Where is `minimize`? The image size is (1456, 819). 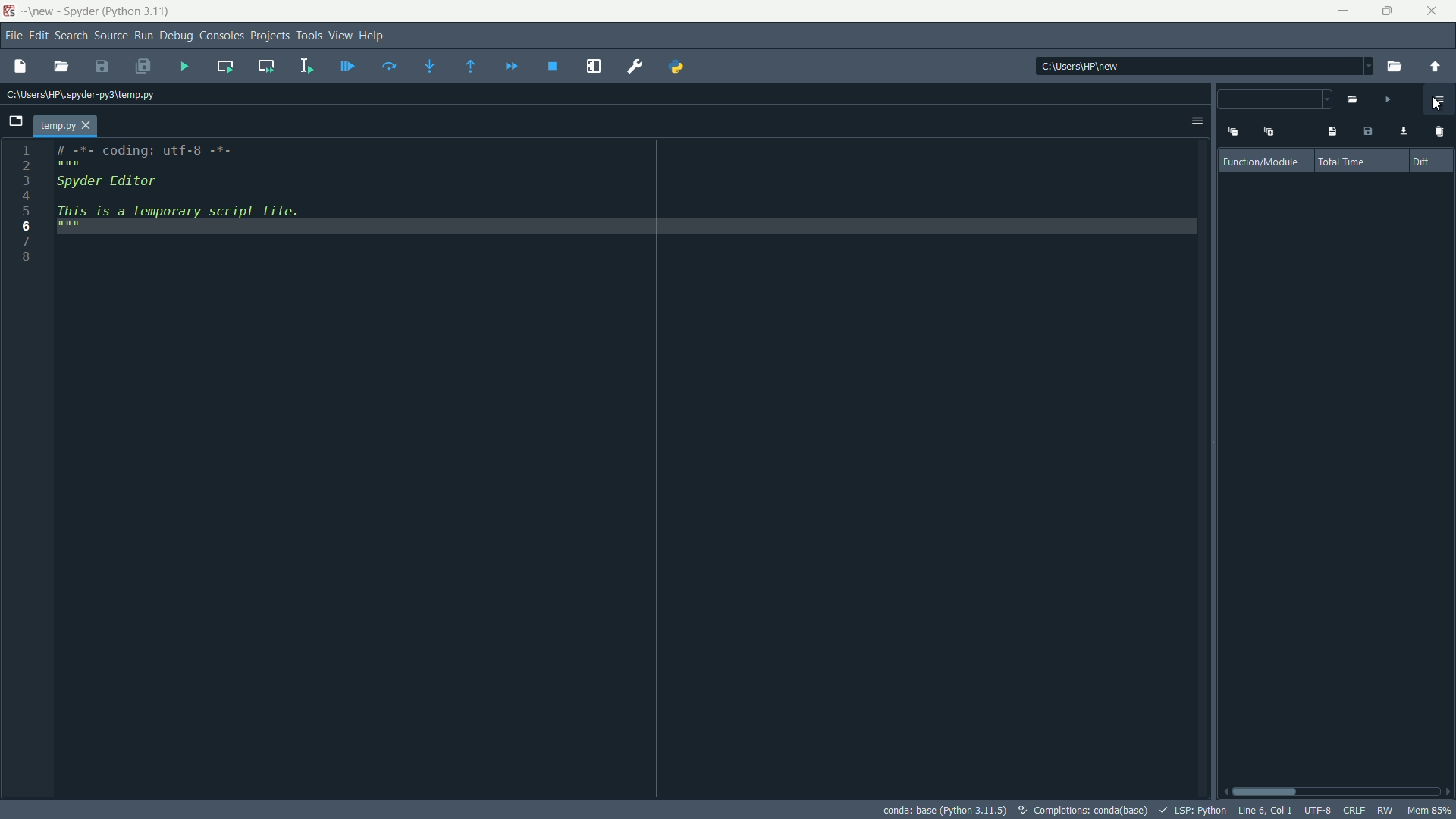 minimize is located at coordinates (1344, 11).